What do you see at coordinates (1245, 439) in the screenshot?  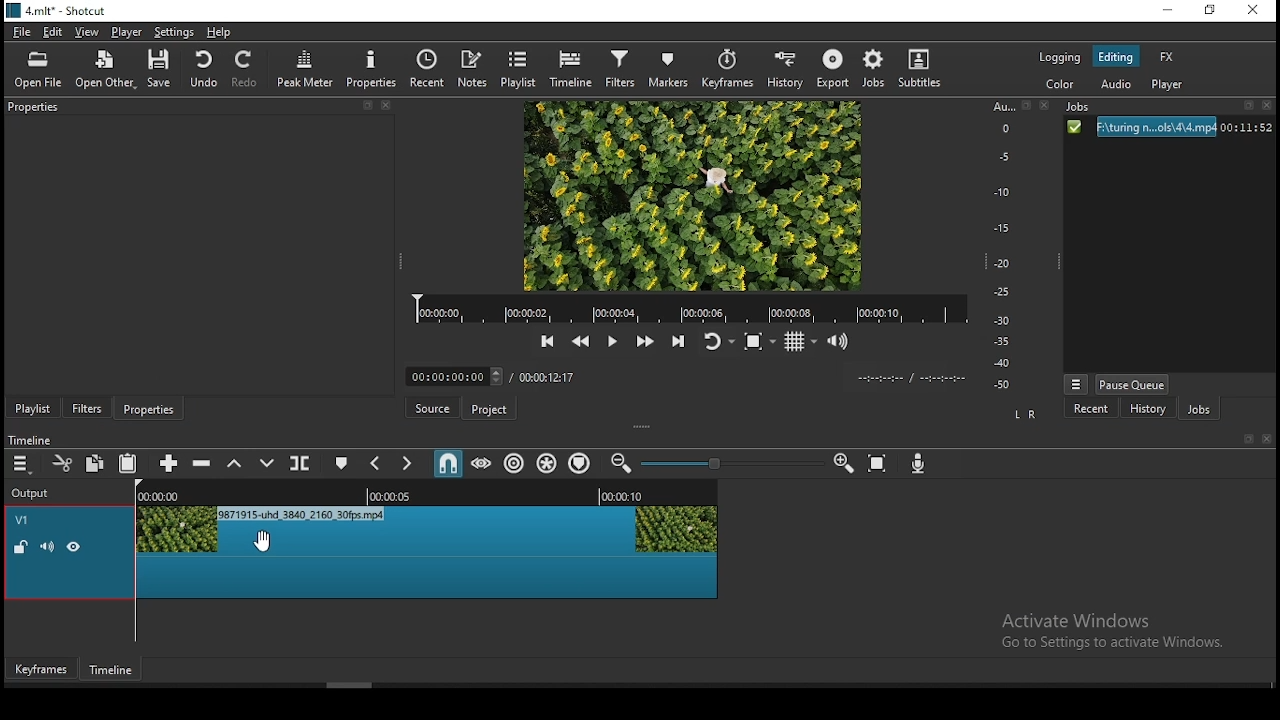 I see `bookmark` at bounding box center [1245, 439].